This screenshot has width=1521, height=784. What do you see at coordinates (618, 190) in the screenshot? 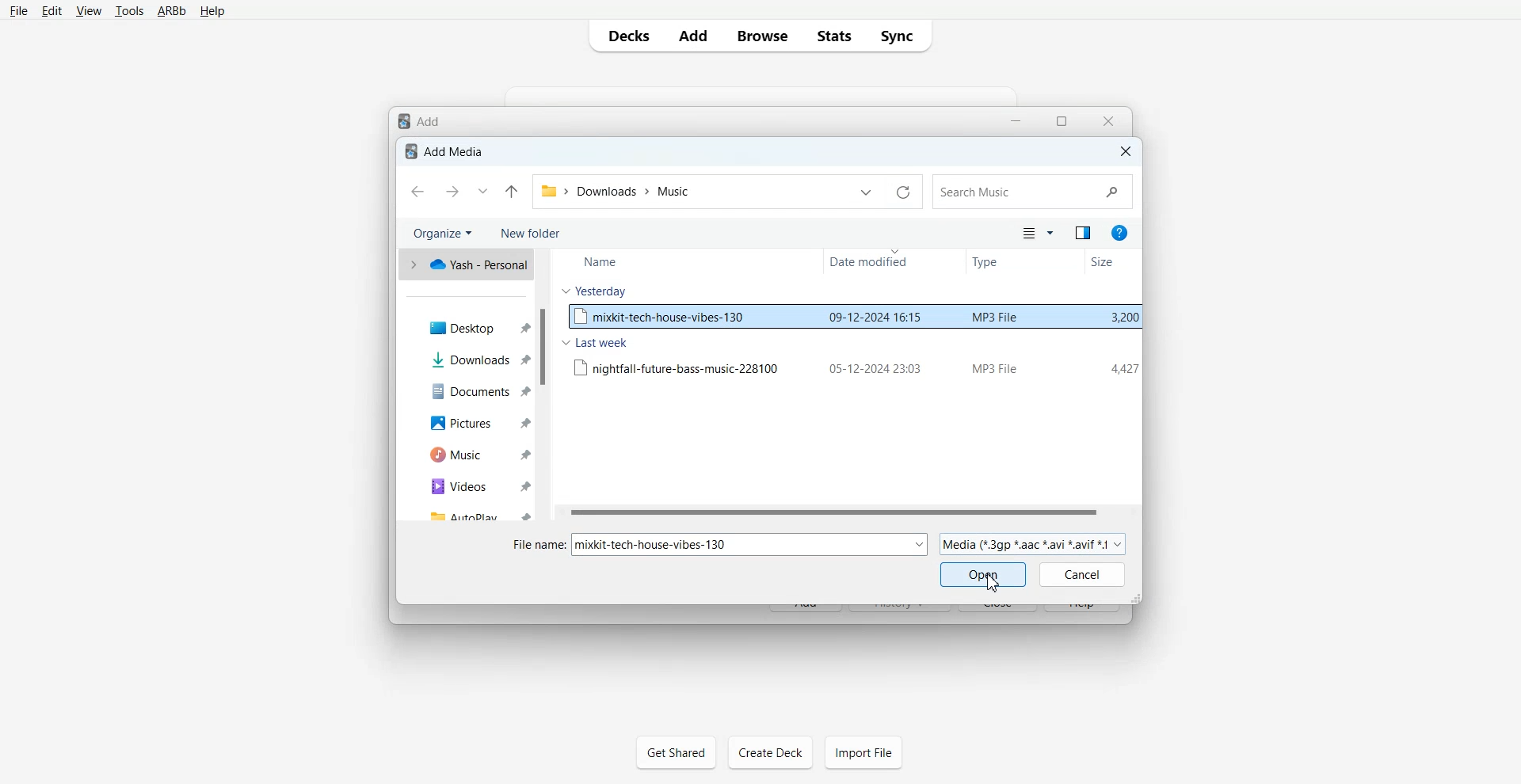
I see `File Path Address` at bounding box center [618, 190].